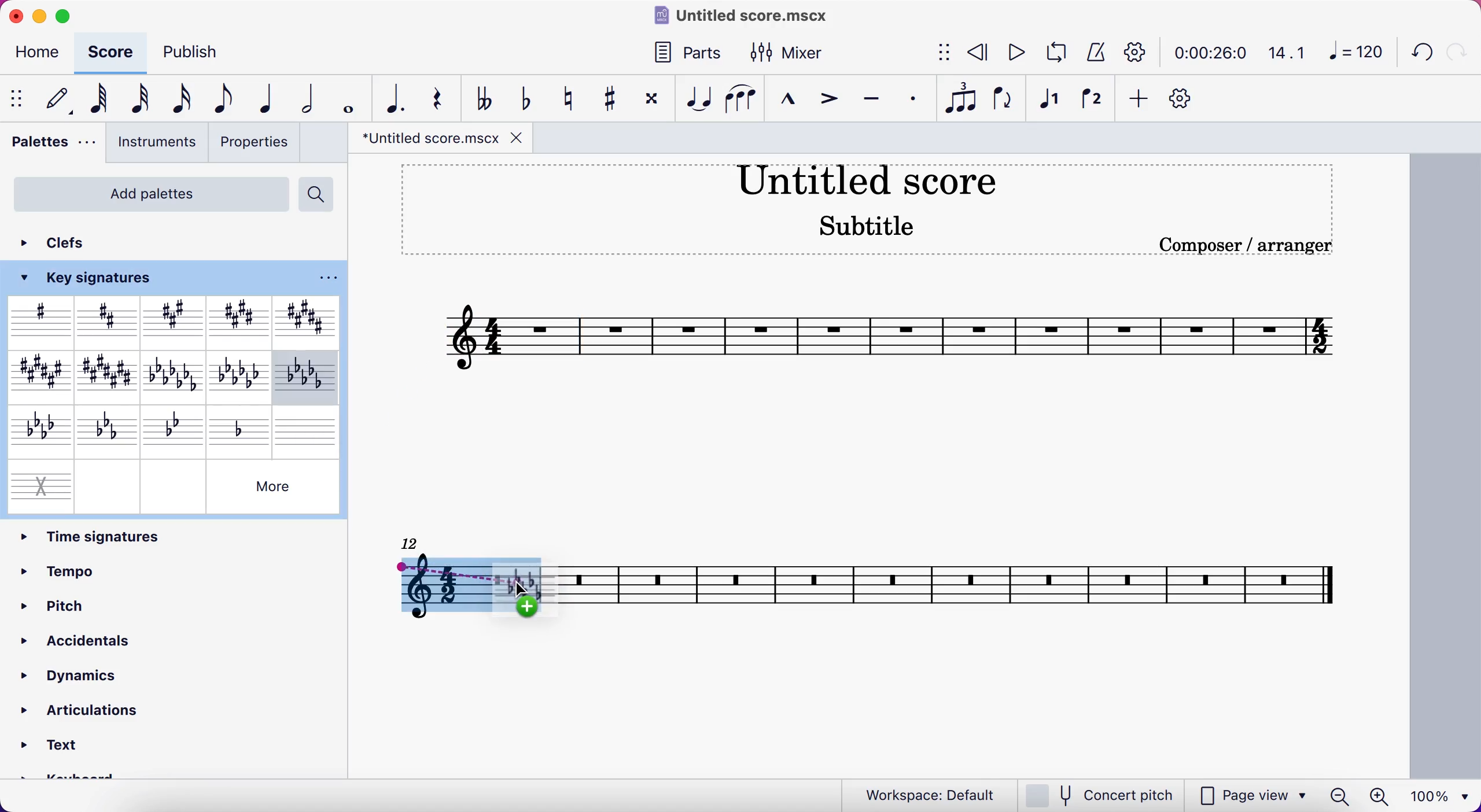 This screenshot has height=812, width=1481. What do you see at coordinates (607, 101) in the screenshot?
I see `toggle sharp` at bounding box center [607, 101].